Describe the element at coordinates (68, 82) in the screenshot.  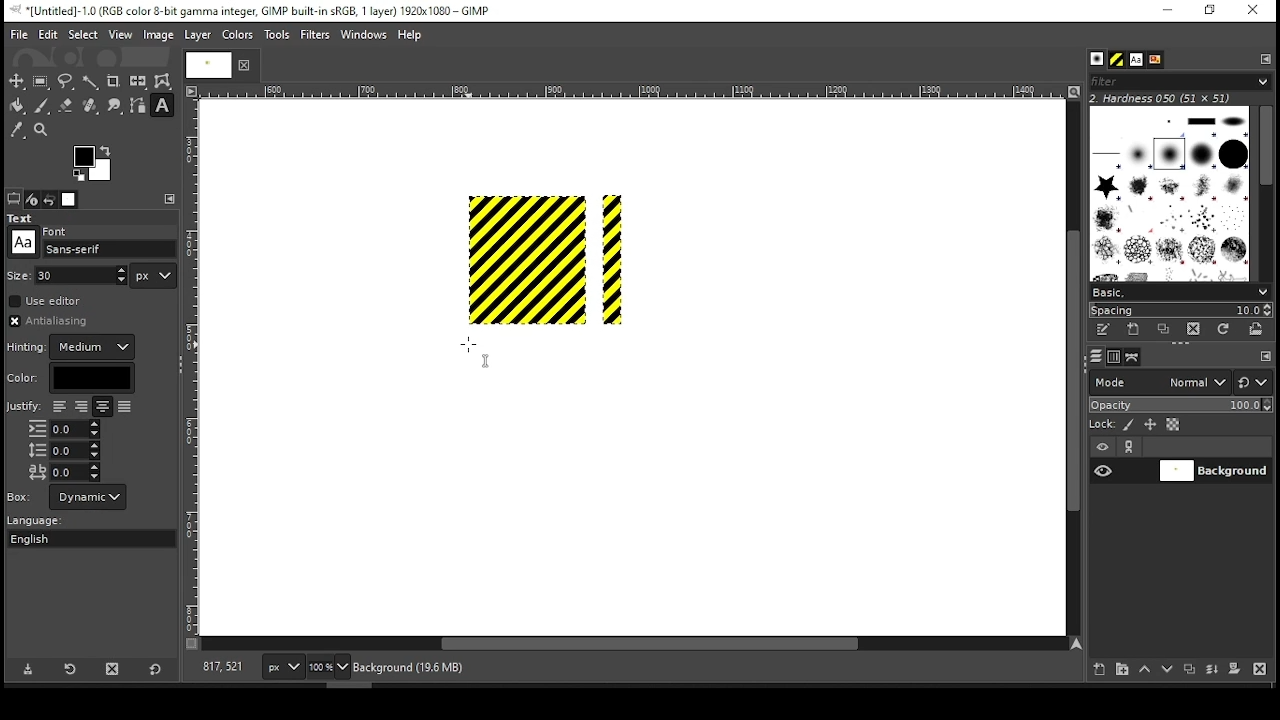
I see `free selection tool` at that location.